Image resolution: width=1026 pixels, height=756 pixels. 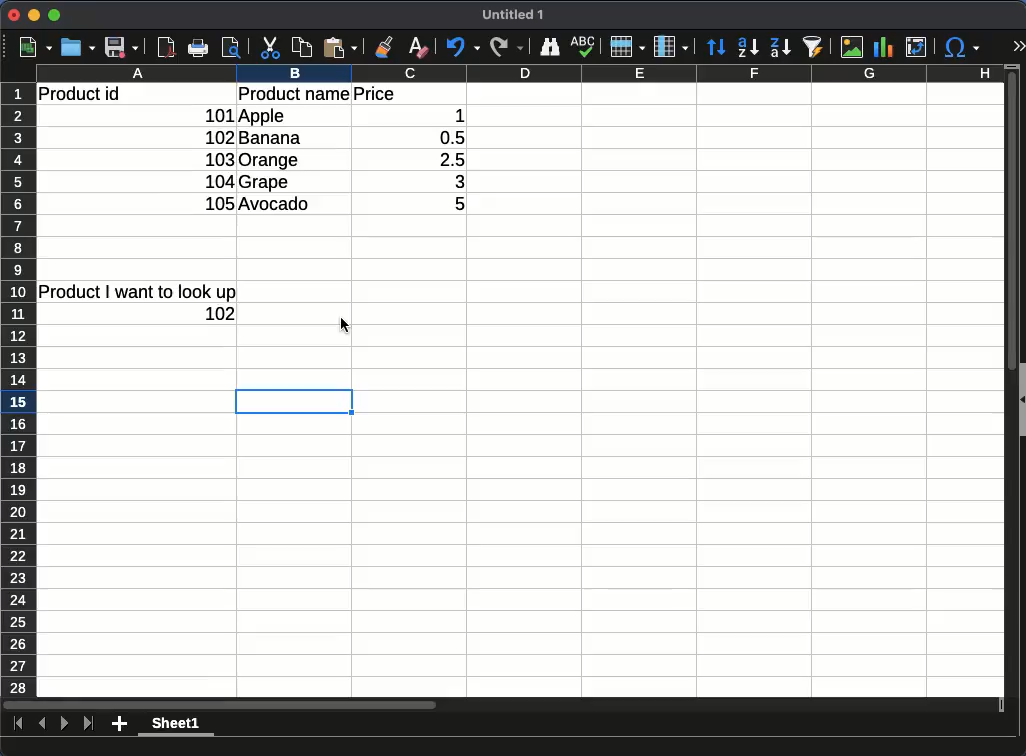 What do you see at coordinates (294, 402) in the screenshot?
I see `cell selected` at bounding box center [294, 402].